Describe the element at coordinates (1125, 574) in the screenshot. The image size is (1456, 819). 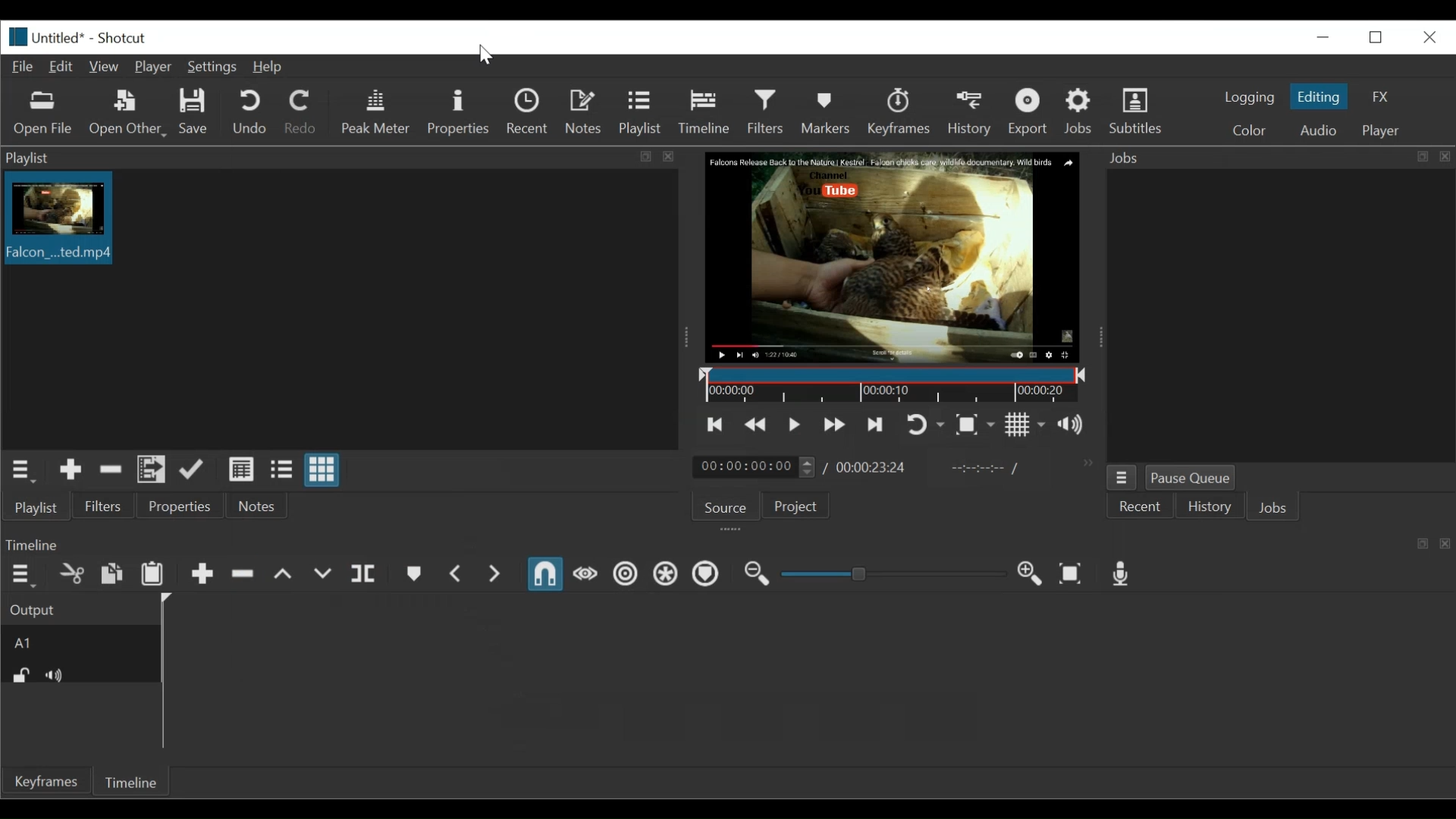
I see `Record audio` at that location.